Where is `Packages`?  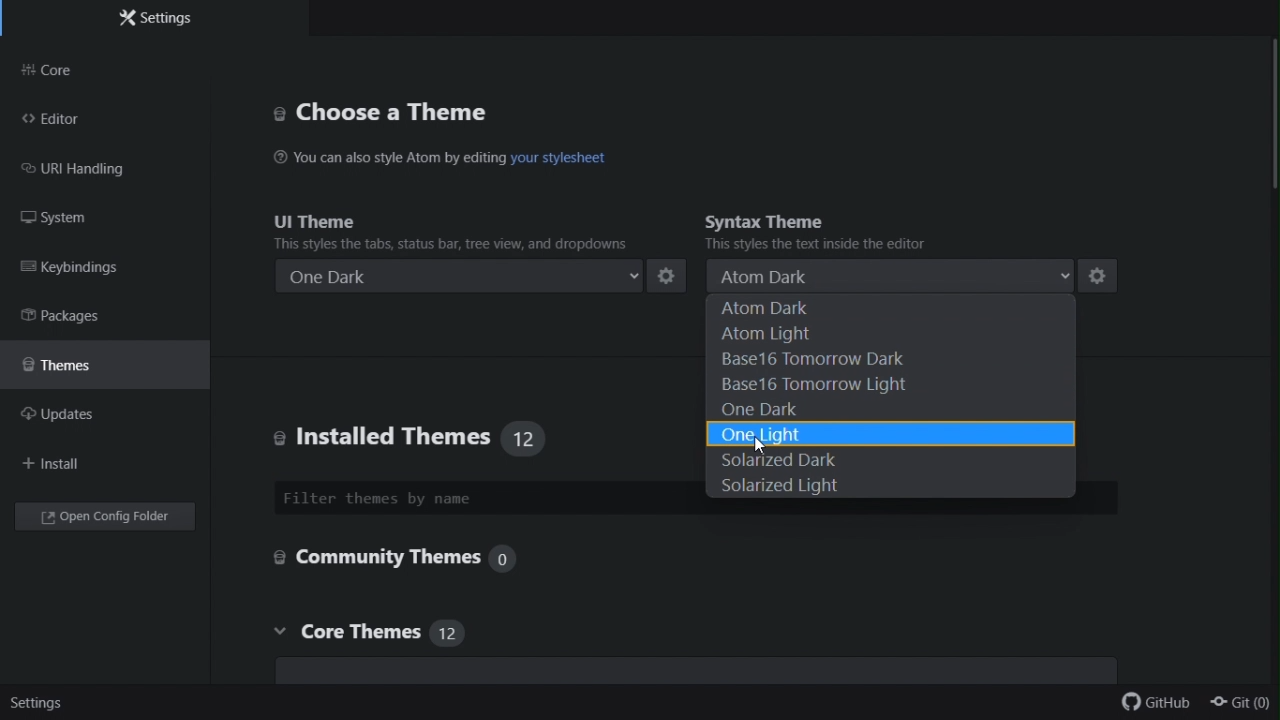
Packages is located at coordinates (76, 318).